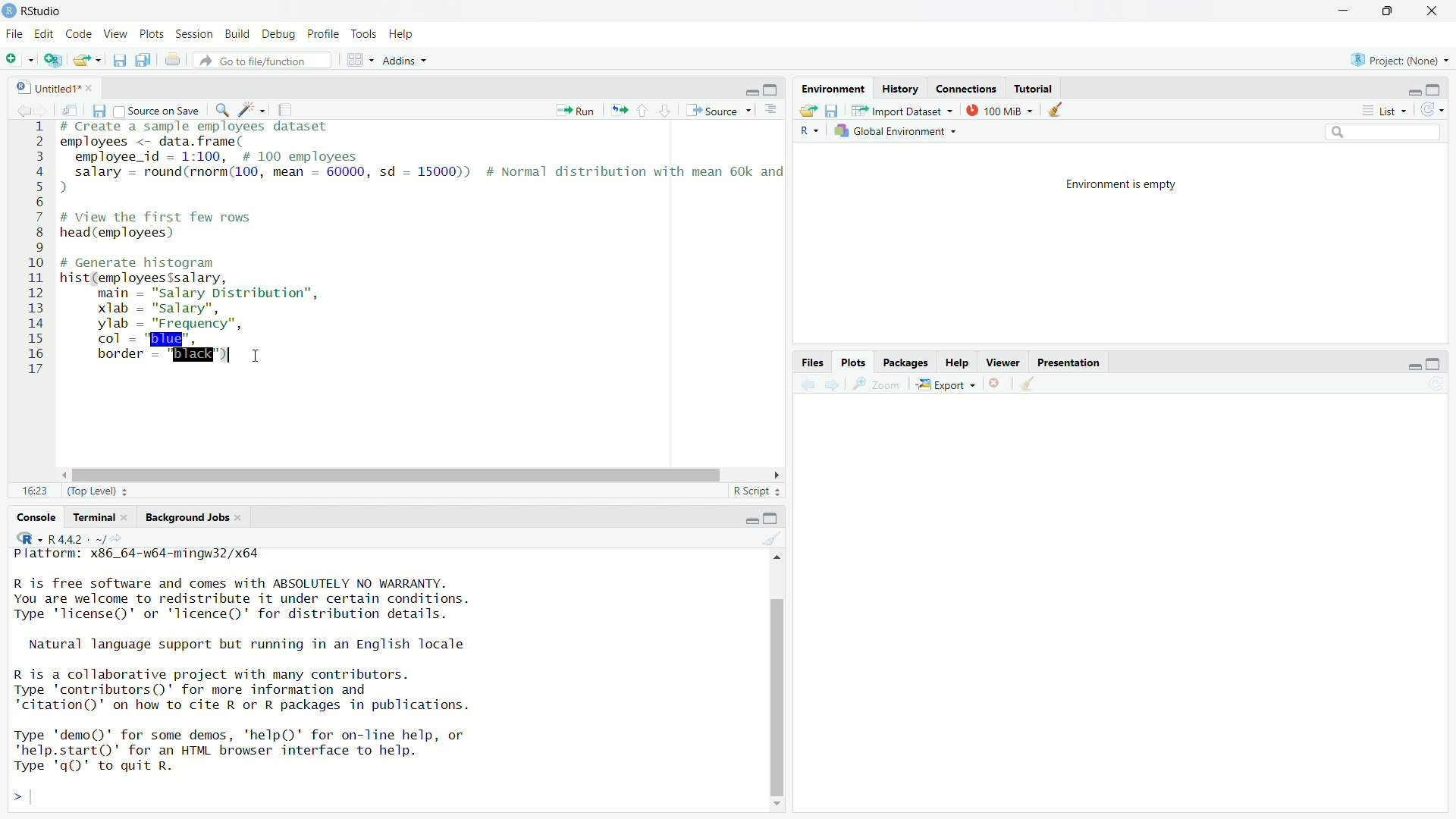 The image size is (1456, 819). What do you see at coordinates (281, 35) in the screenshot?
I see `Debug` at bounding box center [281, 35].